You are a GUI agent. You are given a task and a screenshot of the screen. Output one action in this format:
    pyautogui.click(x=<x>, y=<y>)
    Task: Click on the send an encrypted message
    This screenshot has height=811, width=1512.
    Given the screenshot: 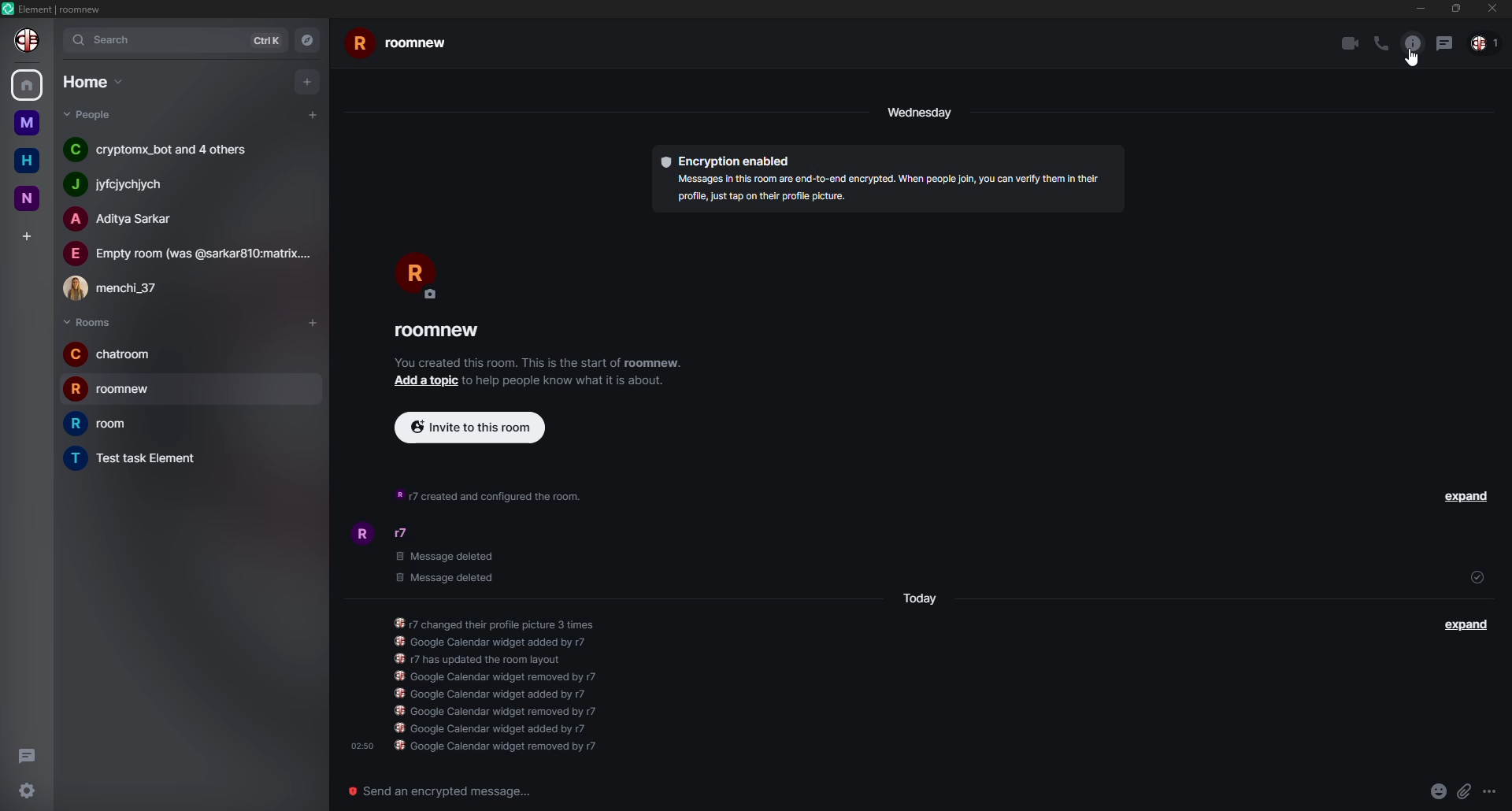 What is the action you would take?
    pyautogui.click(x=444, y=793)
    